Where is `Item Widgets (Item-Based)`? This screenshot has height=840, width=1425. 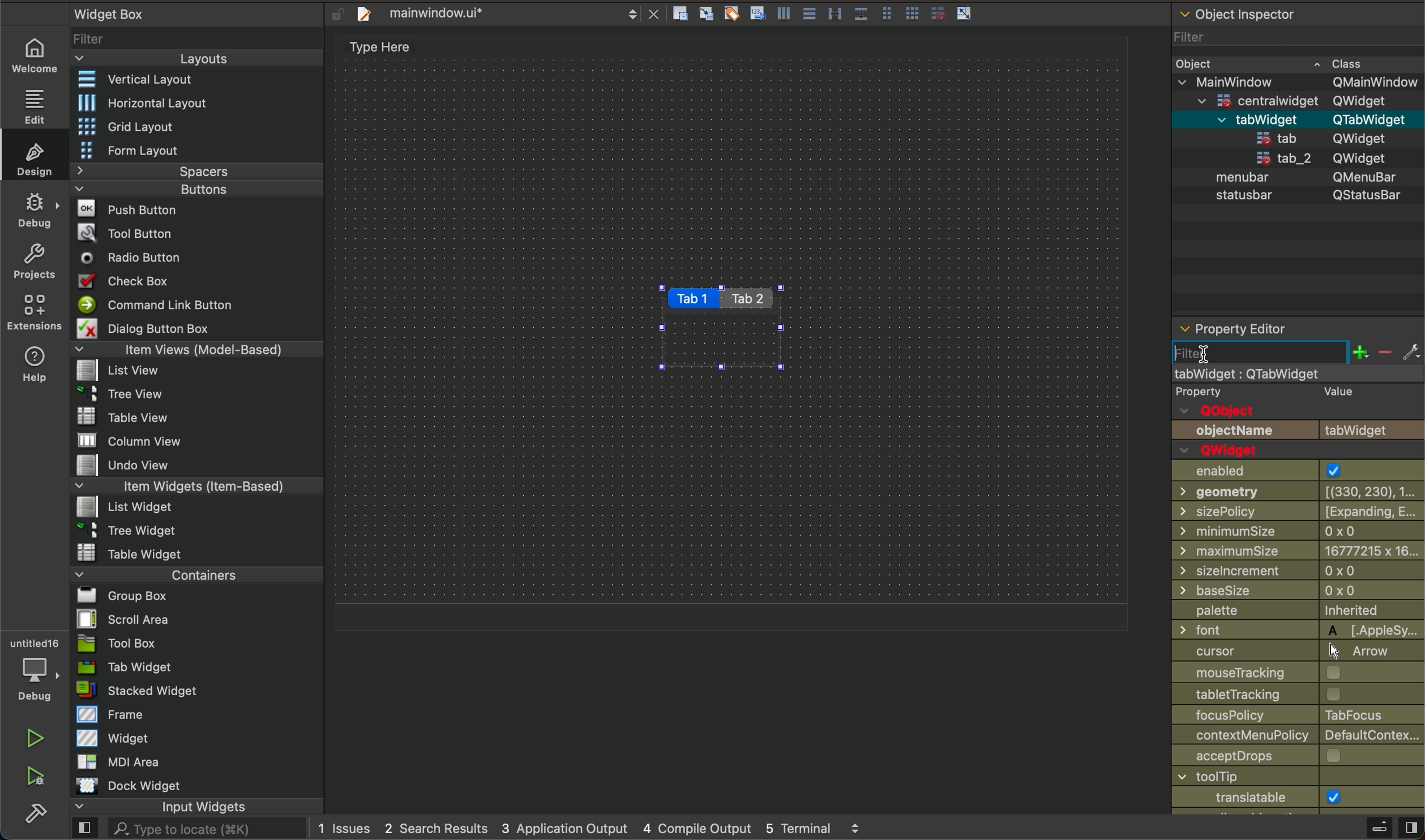 Item Widgets (Item-Based) is located at coordinates (198, 486).